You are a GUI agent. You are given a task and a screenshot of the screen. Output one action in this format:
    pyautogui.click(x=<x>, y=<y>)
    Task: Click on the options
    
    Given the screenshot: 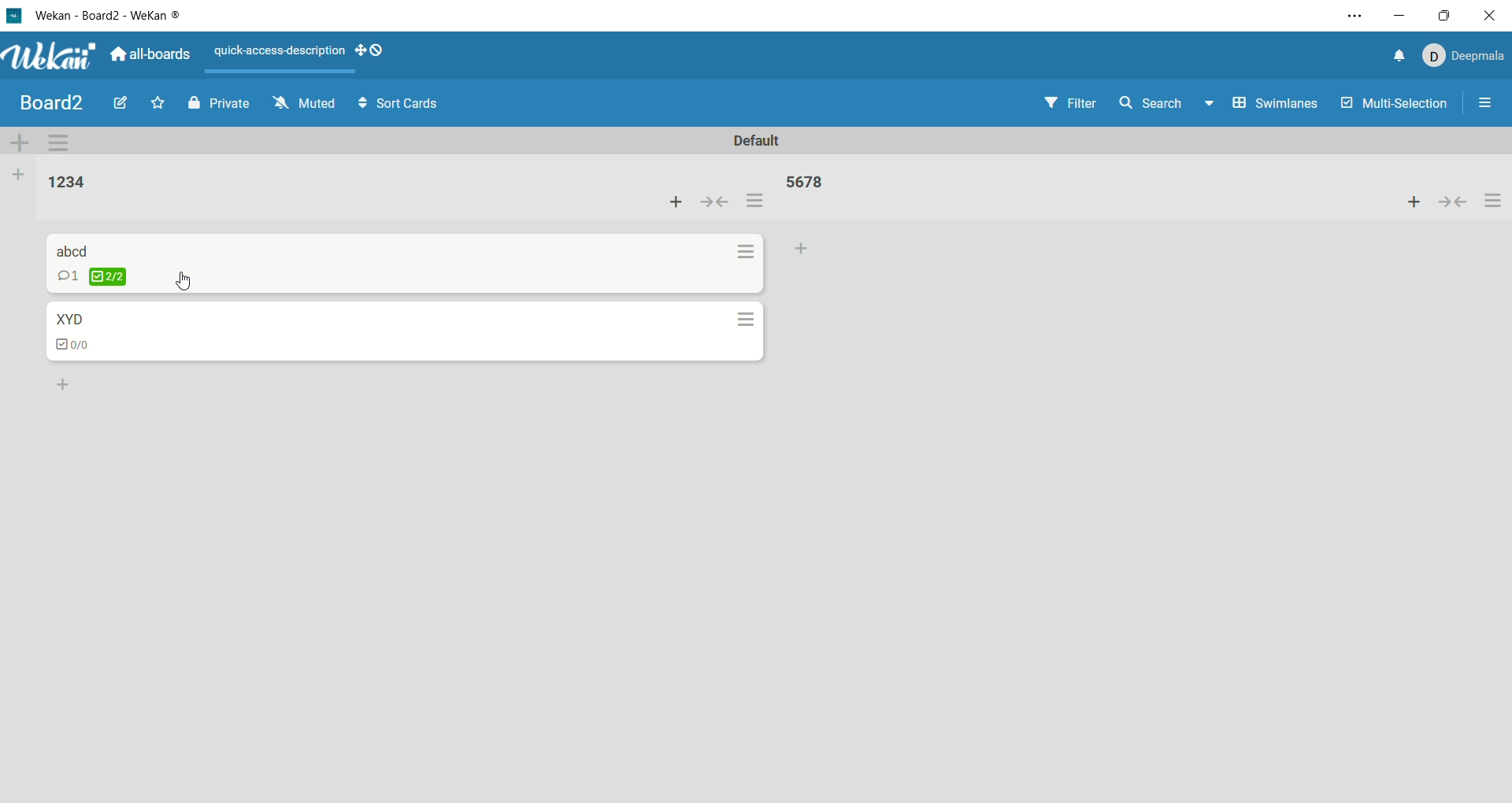 What is the action you would take?
    pyautogui.click(x=754, y=200)
    